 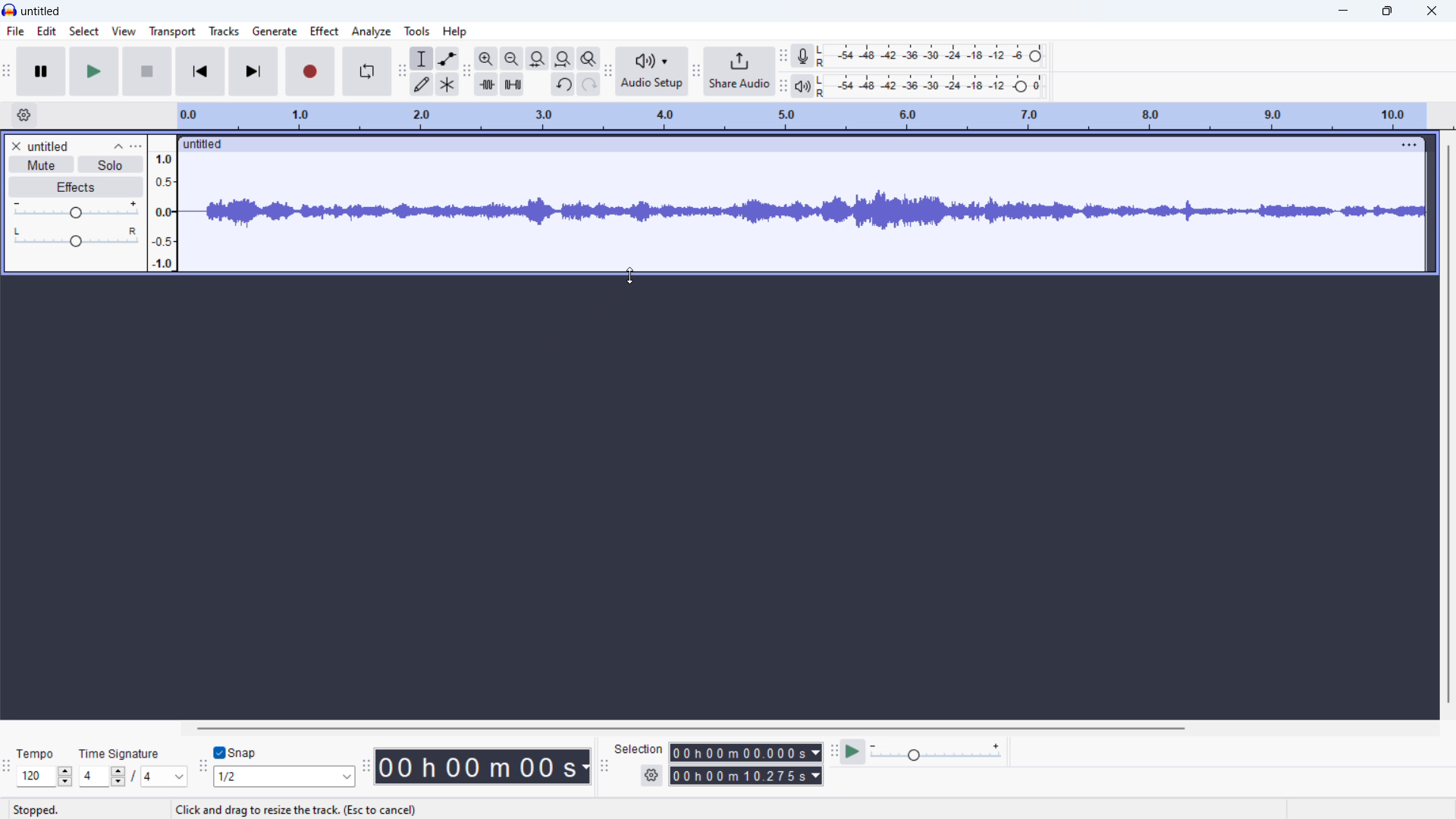 What do you see at coordinates (372, 32) in the screenshot?
I see `analyze` at bounding box center [372, 32].